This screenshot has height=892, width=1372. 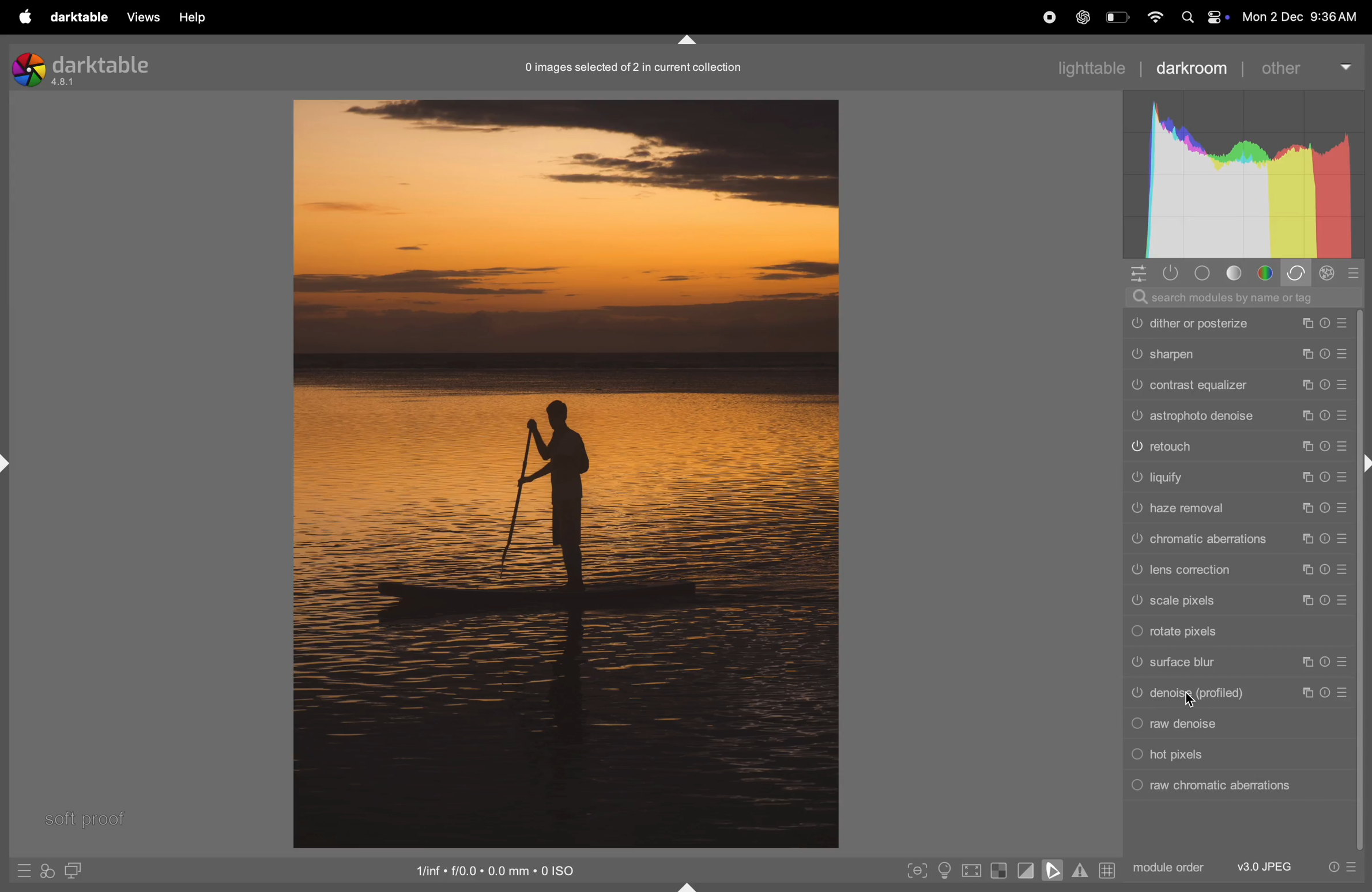 I want to click on toggle high quality processing, so click(x=972, y=870).